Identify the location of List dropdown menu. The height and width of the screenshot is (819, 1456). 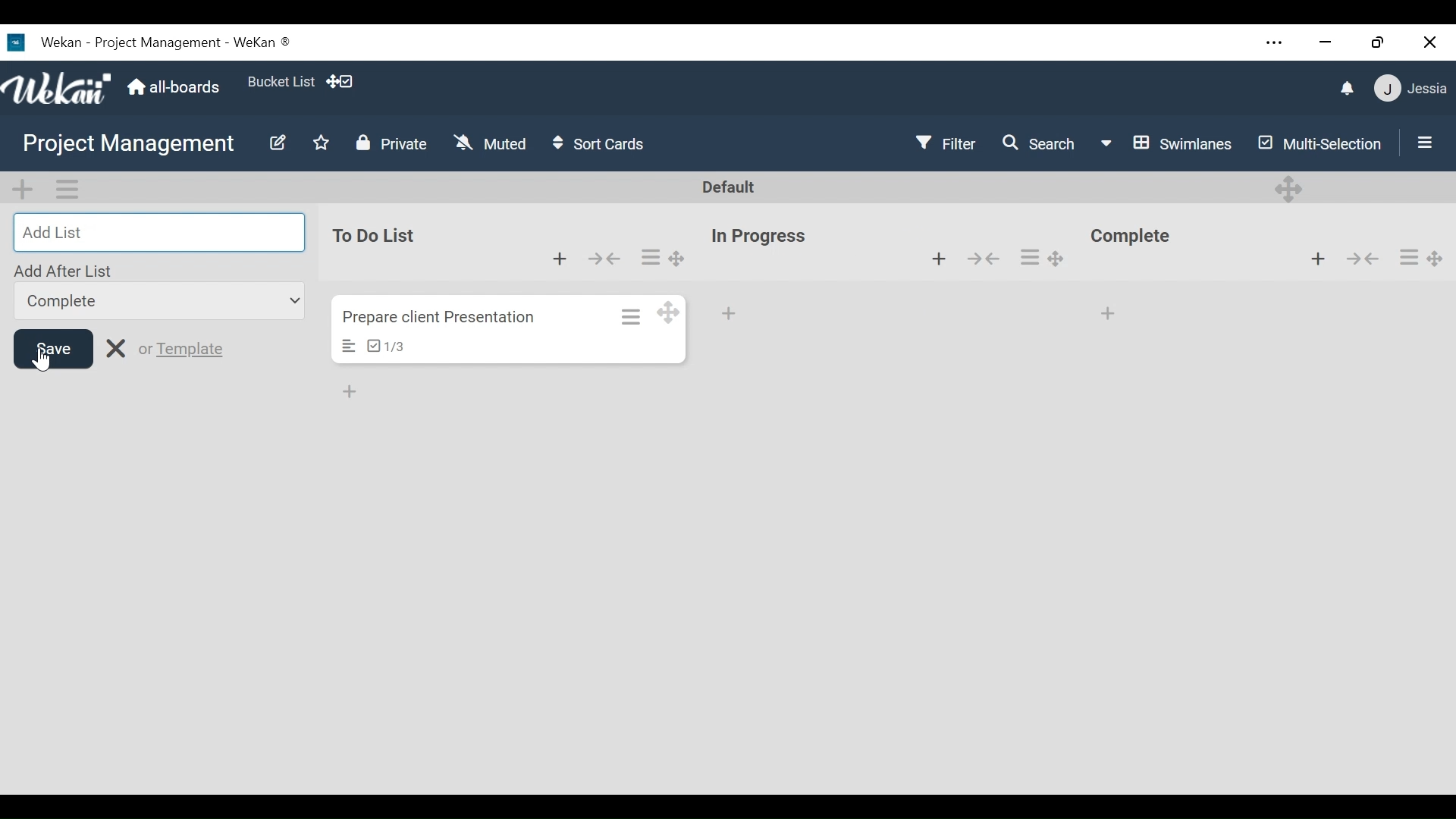
(158, 301).